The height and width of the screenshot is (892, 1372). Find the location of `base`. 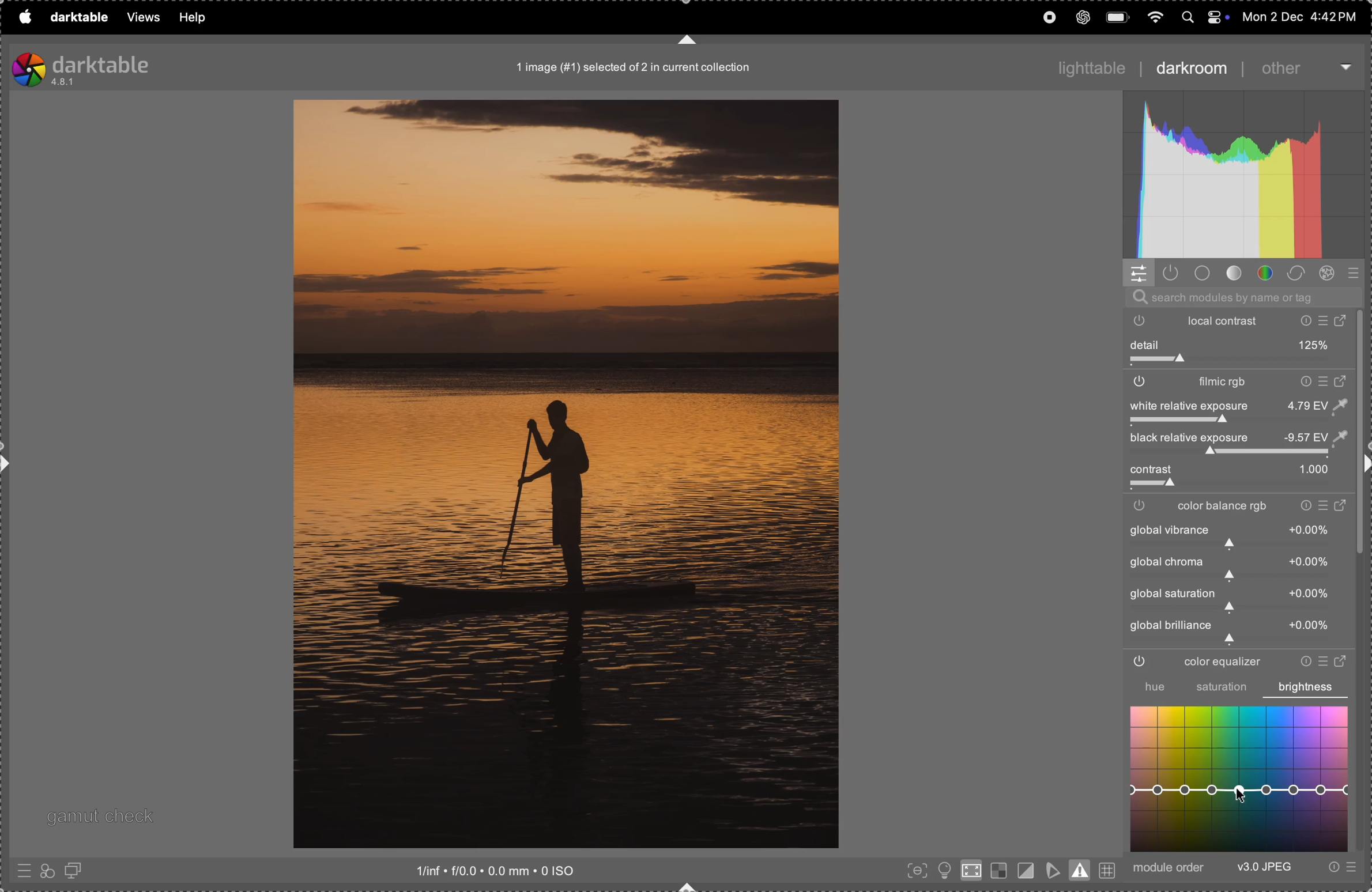

base is located at coordinates (1203, 273).